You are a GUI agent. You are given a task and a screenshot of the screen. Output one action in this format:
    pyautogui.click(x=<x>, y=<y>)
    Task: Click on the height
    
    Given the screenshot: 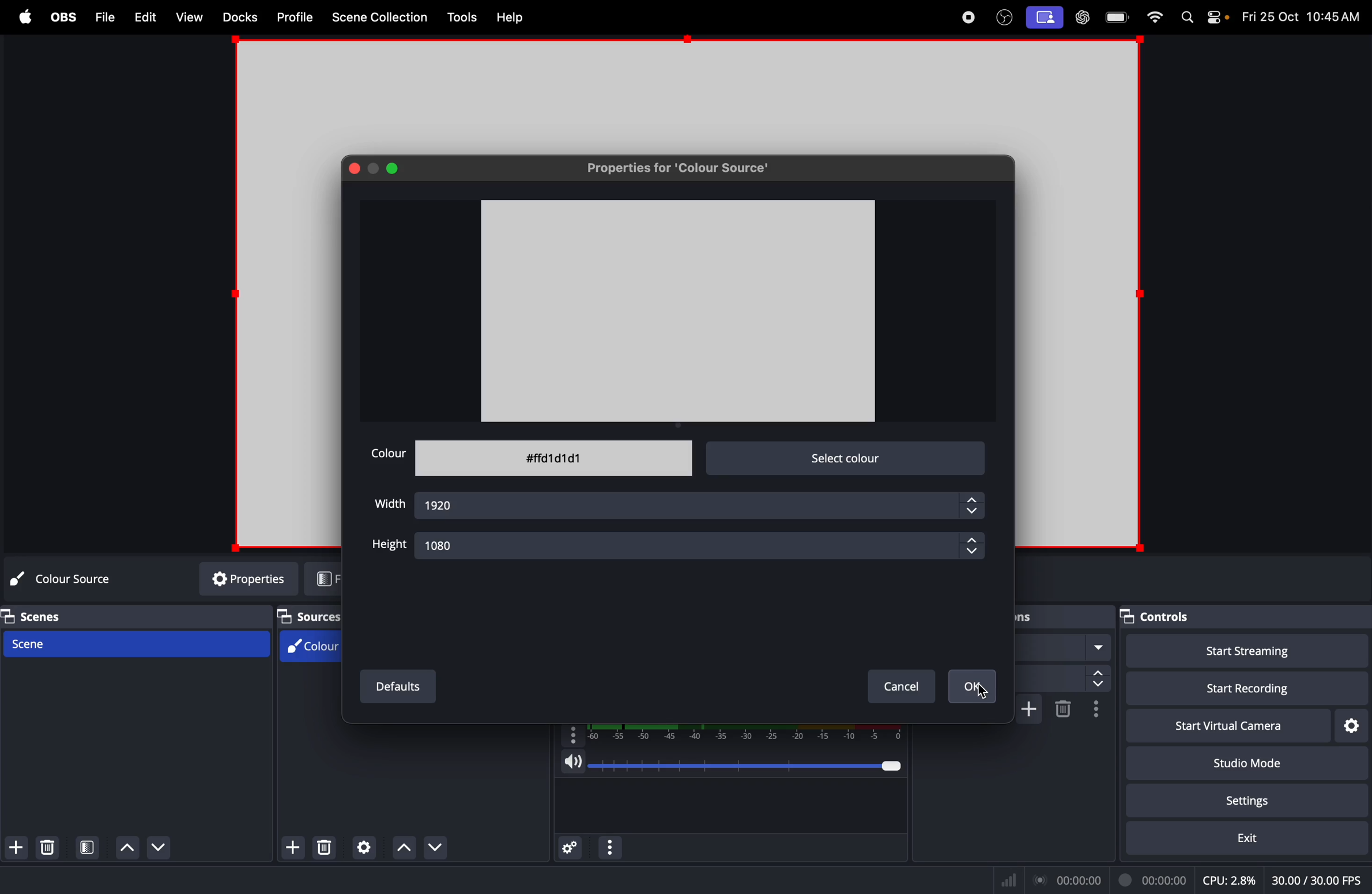 What is the action you would take?
    pyautogui.click(x=387, y=546)
    